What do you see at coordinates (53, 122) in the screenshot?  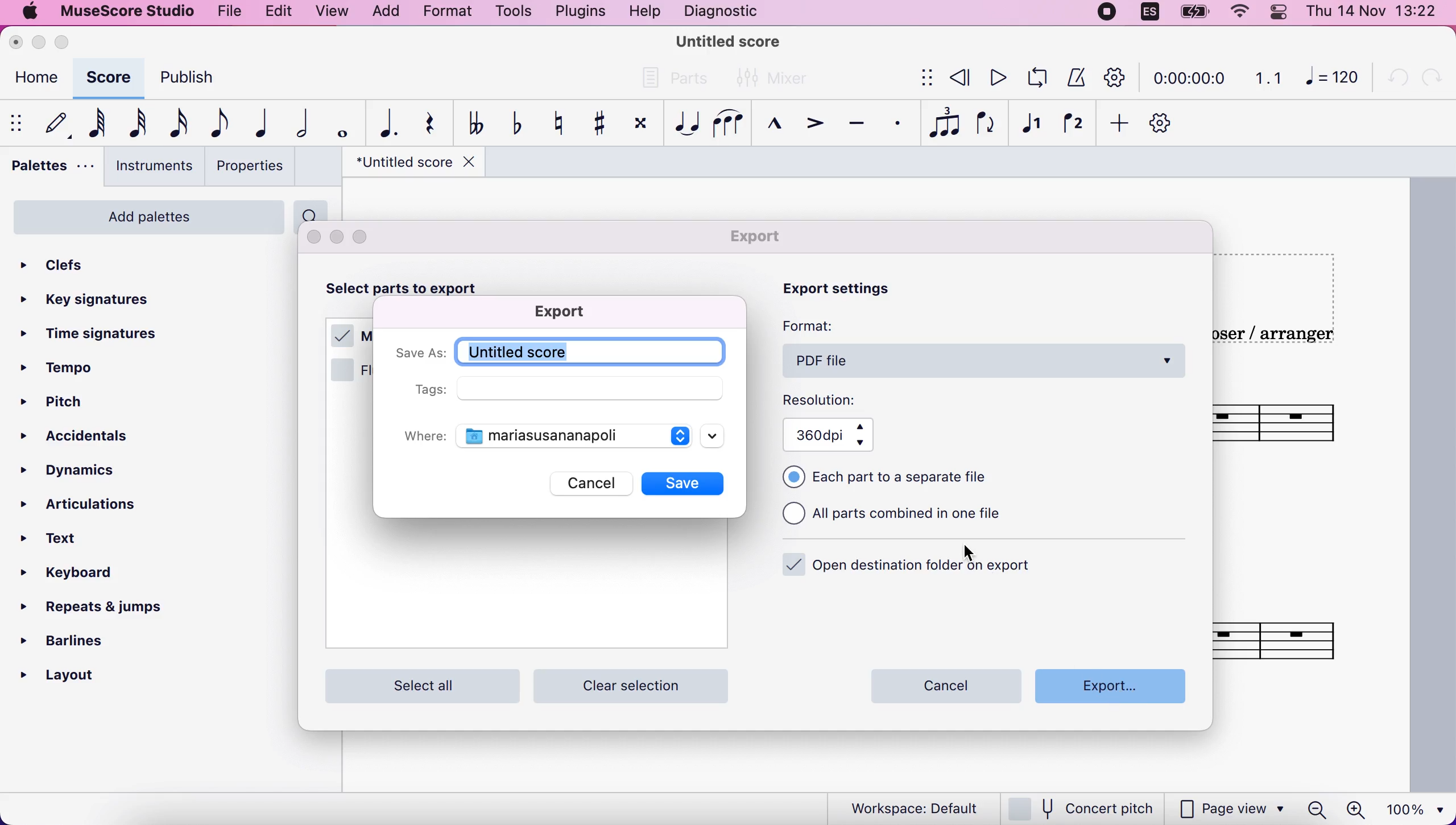 I see `default` at bounding box center [53, 122].